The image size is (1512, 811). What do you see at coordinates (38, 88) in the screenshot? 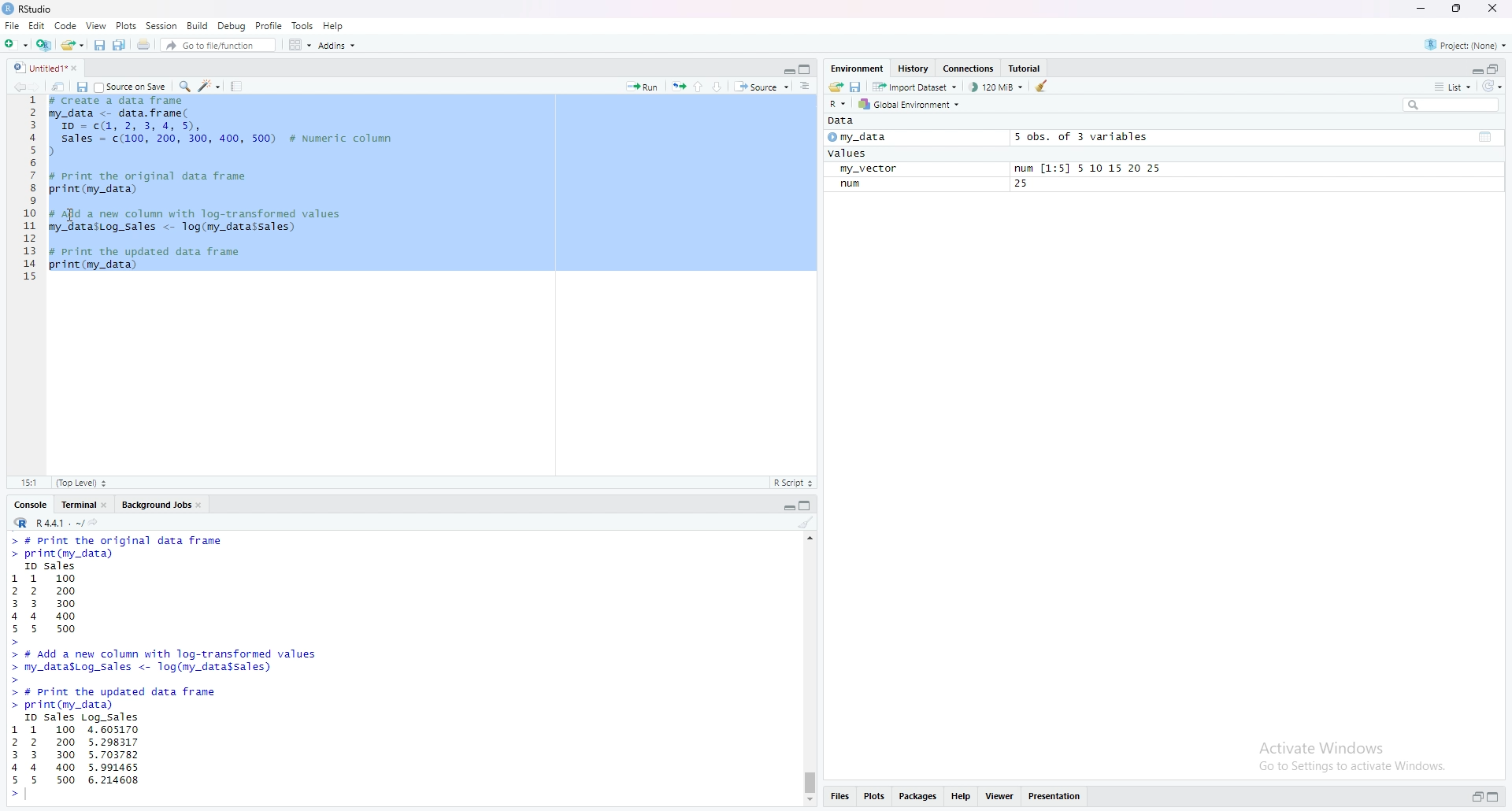
I see `Go forward to the next location` at bounding box center [38, 88].